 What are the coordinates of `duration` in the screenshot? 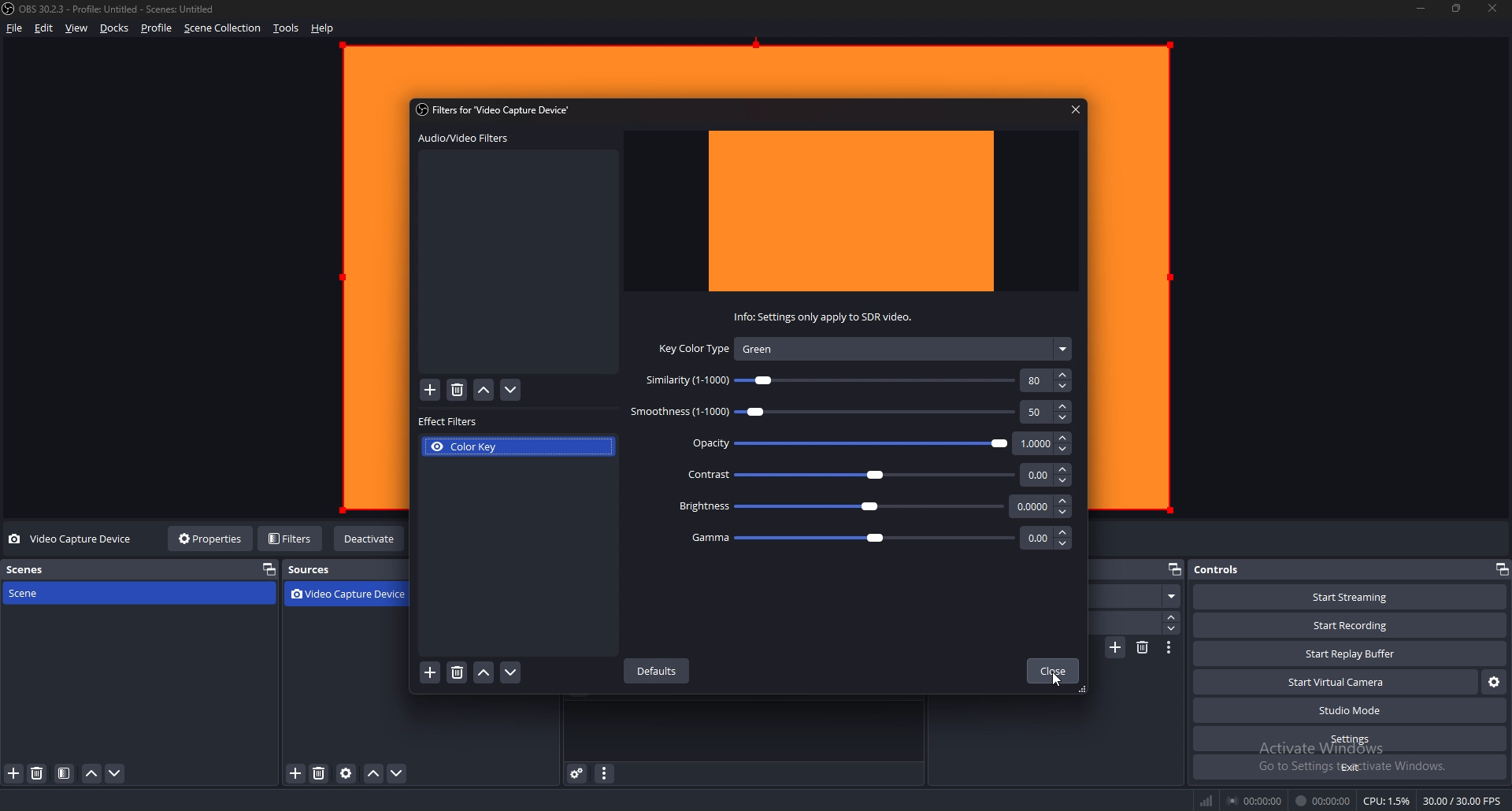 It's located at (1129, 622).